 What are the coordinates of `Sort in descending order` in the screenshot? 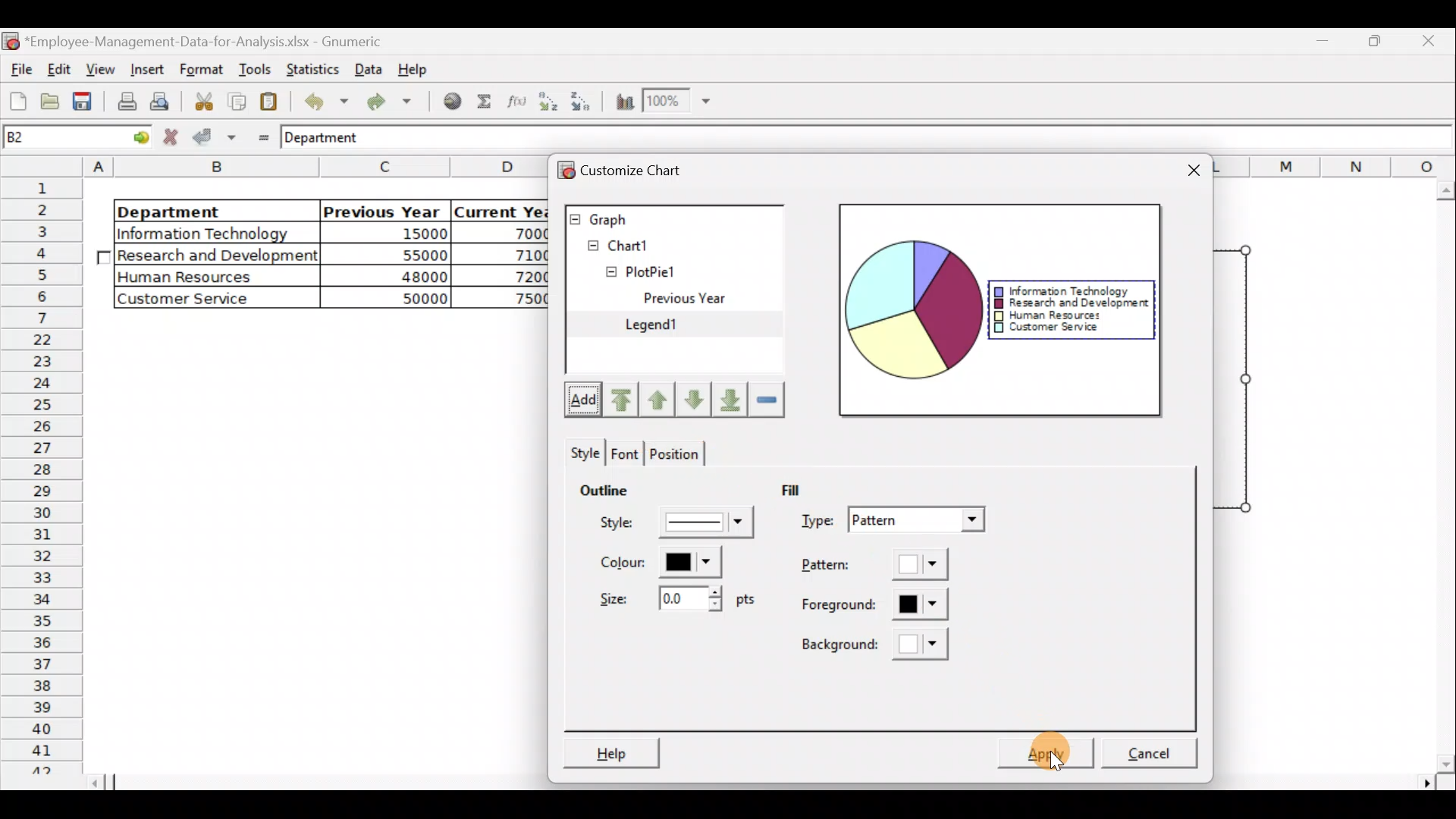 It's located at (582, 102).